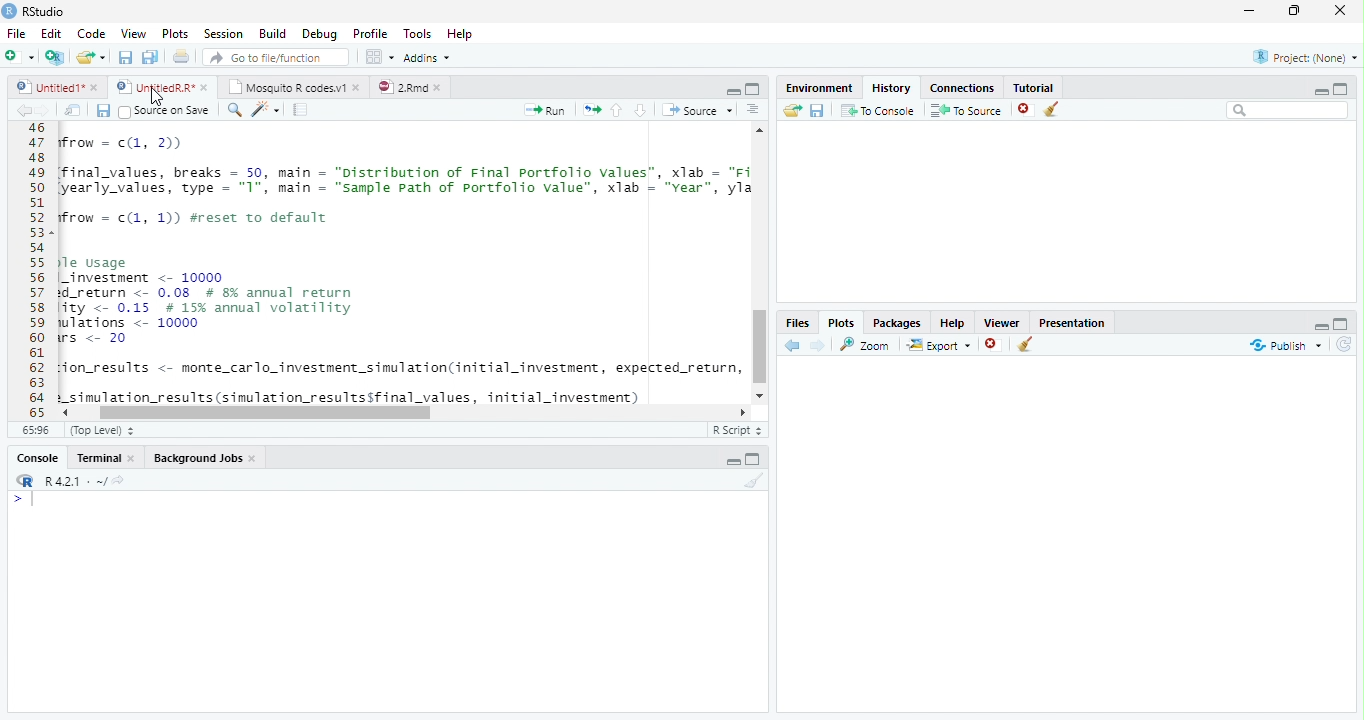 The height and width of the screenshot is (720, 1364). I want to click on Plots, so click(174, 34).